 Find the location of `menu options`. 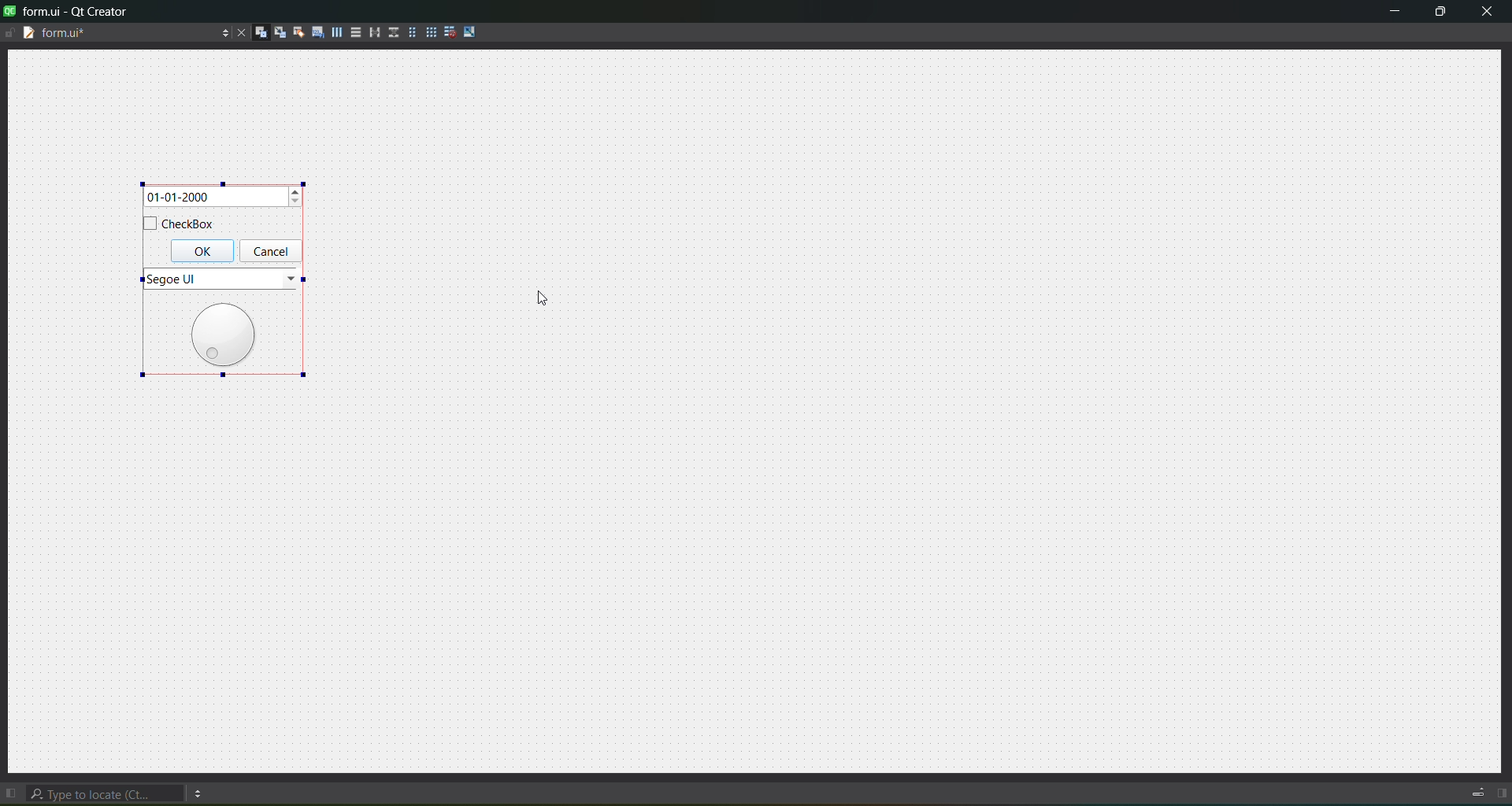

menu options is located at coordinates (202, 791).